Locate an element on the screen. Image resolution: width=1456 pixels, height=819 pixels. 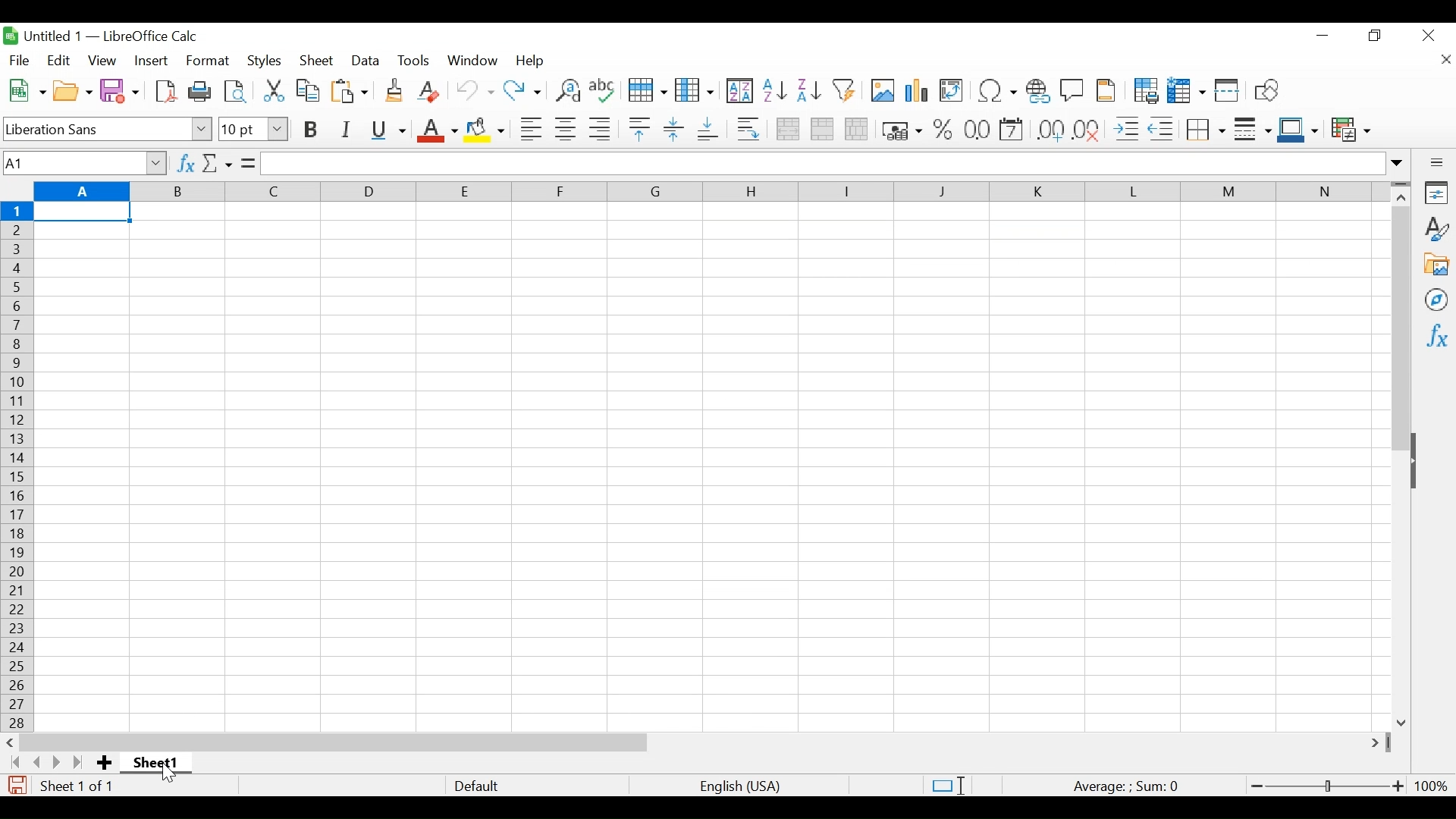
Redo is located at coordinates (522, 91).